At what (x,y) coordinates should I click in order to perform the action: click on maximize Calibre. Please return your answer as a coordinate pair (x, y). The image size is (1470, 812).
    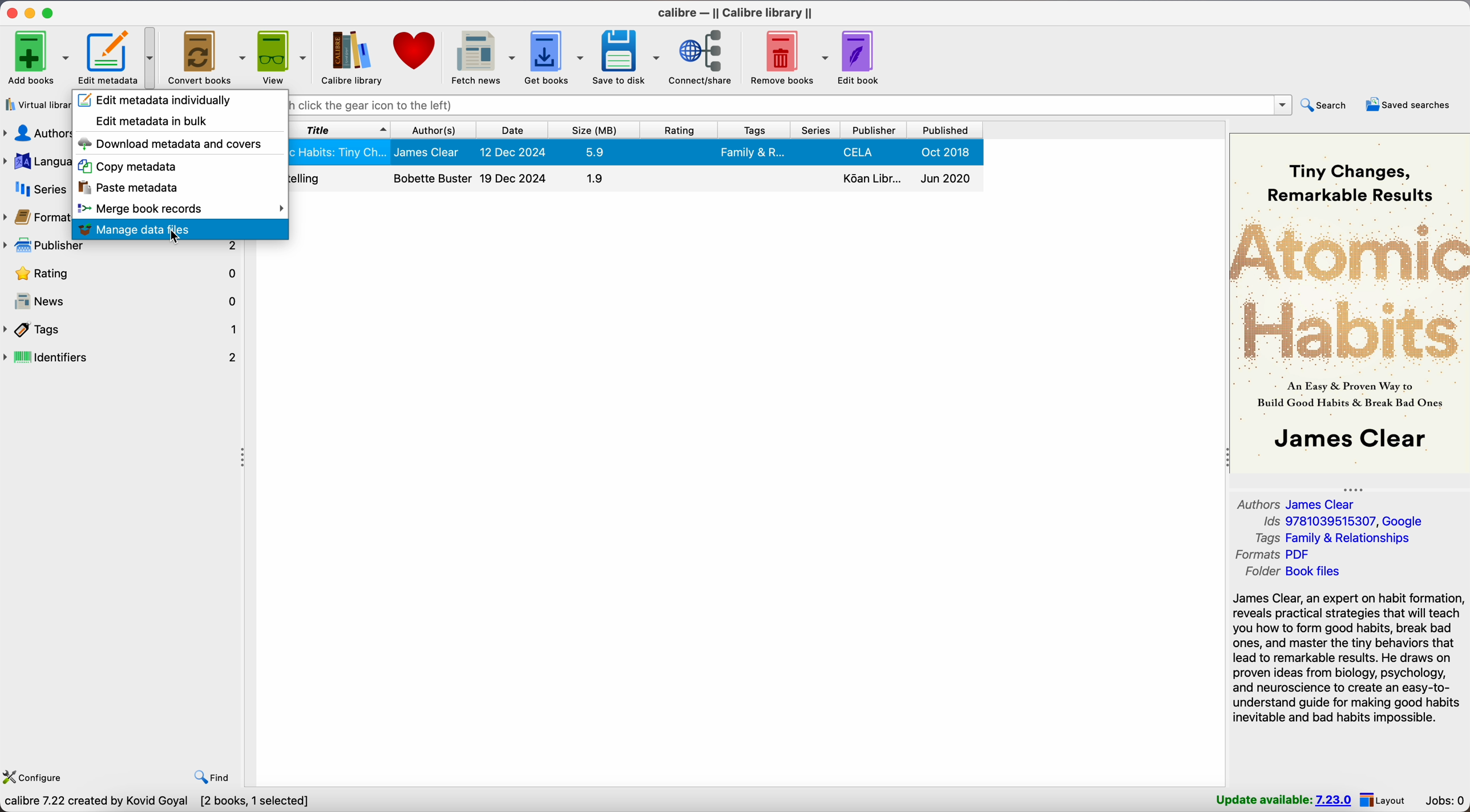
    Looking at the image, I should click on (49, 11).